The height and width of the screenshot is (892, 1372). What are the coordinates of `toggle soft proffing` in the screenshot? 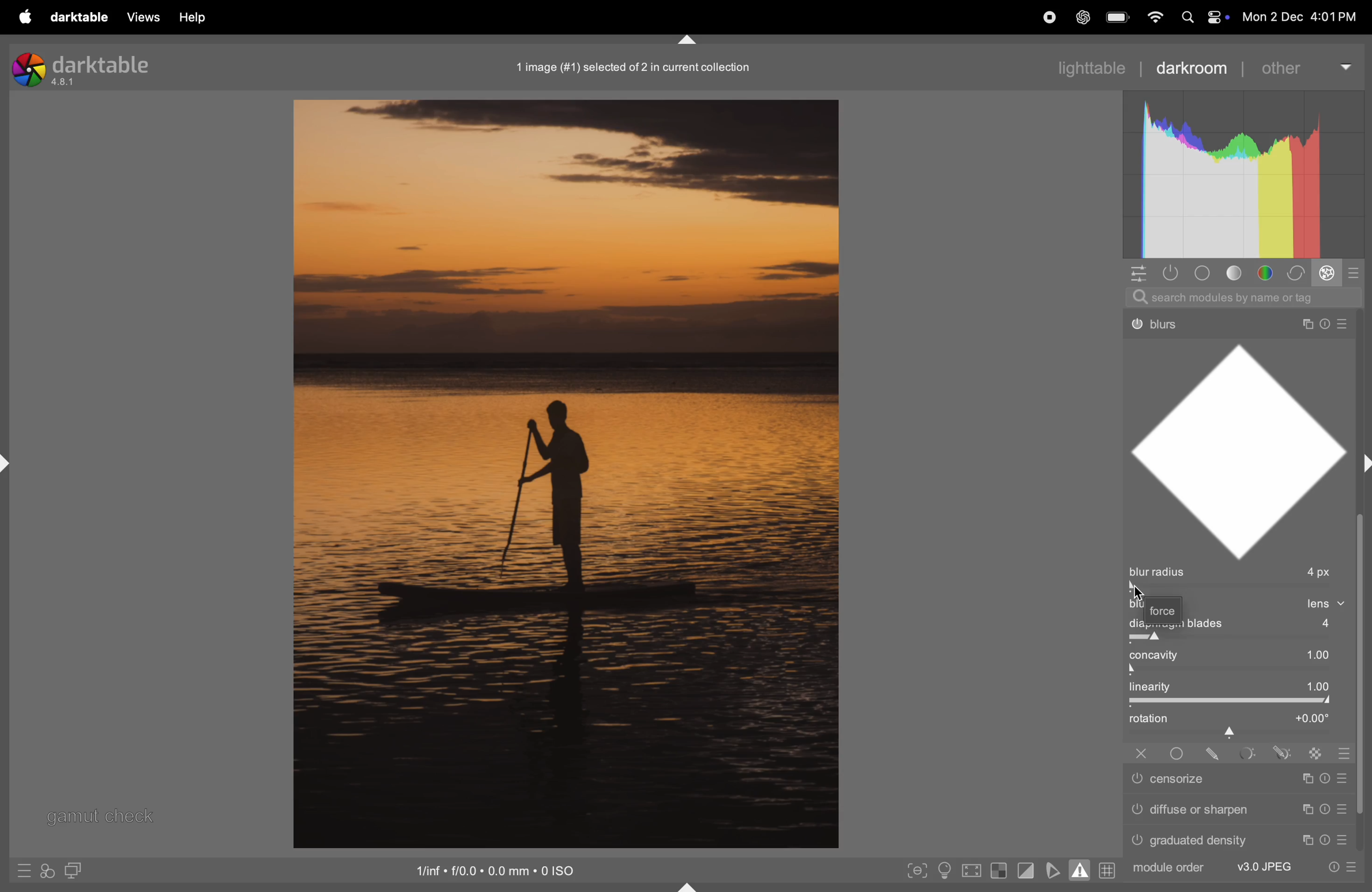 It's located at (1051, 870).